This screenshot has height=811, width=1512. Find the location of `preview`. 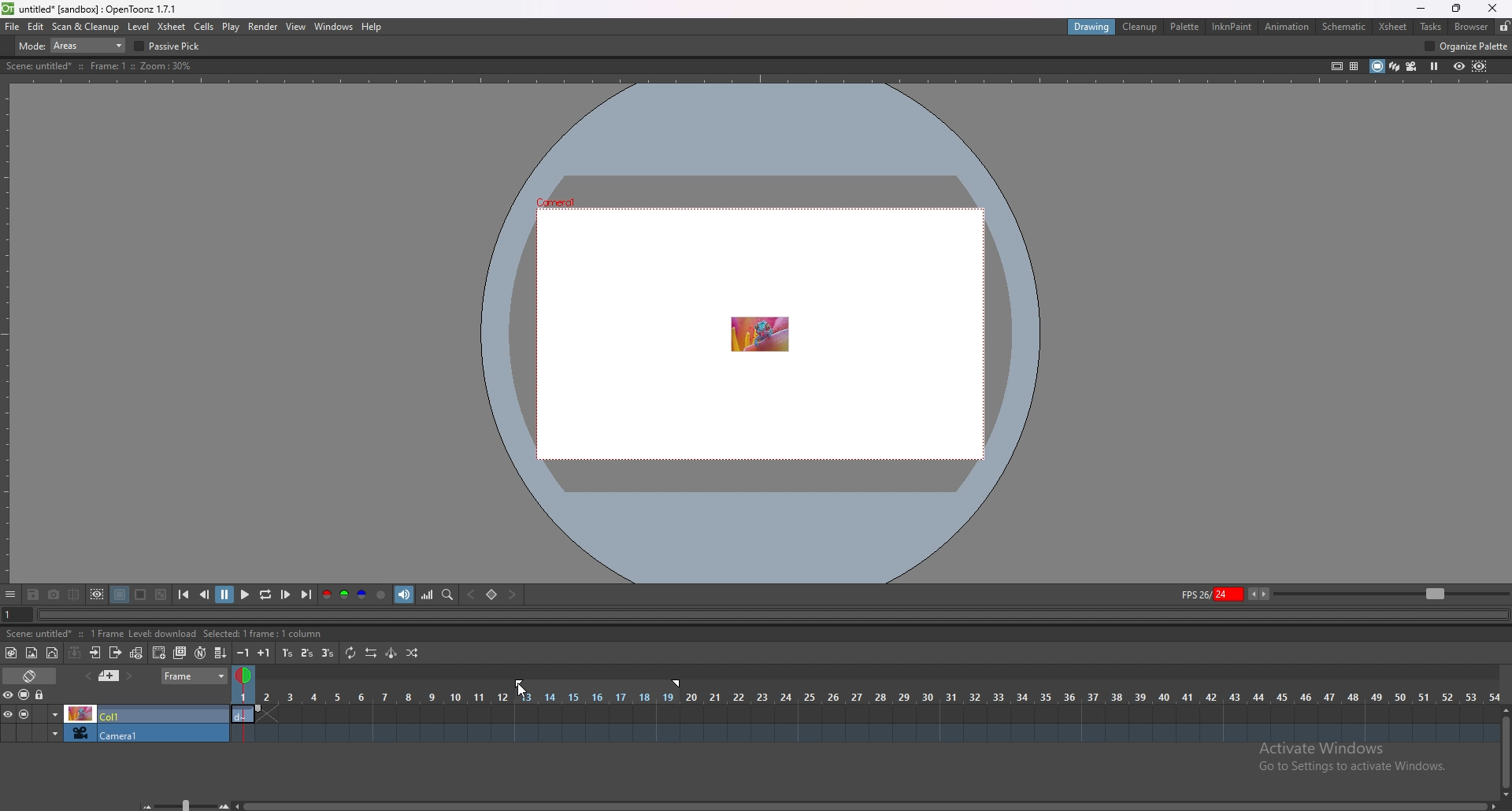

preview is located at coordinates (1459, 66).